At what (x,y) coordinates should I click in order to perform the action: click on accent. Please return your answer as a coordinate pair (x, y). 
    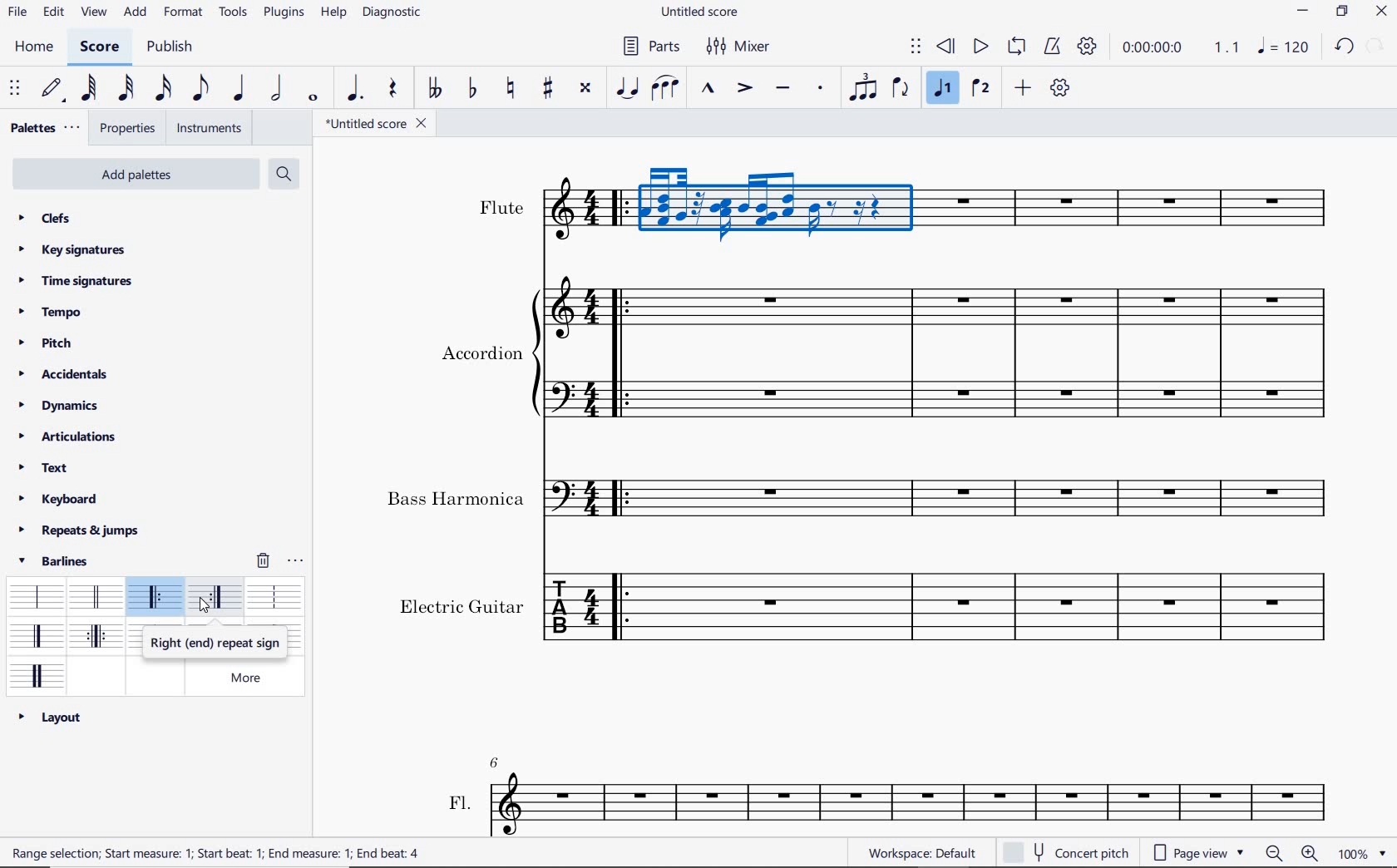
    Looking at the image, I should click on (745, 89).